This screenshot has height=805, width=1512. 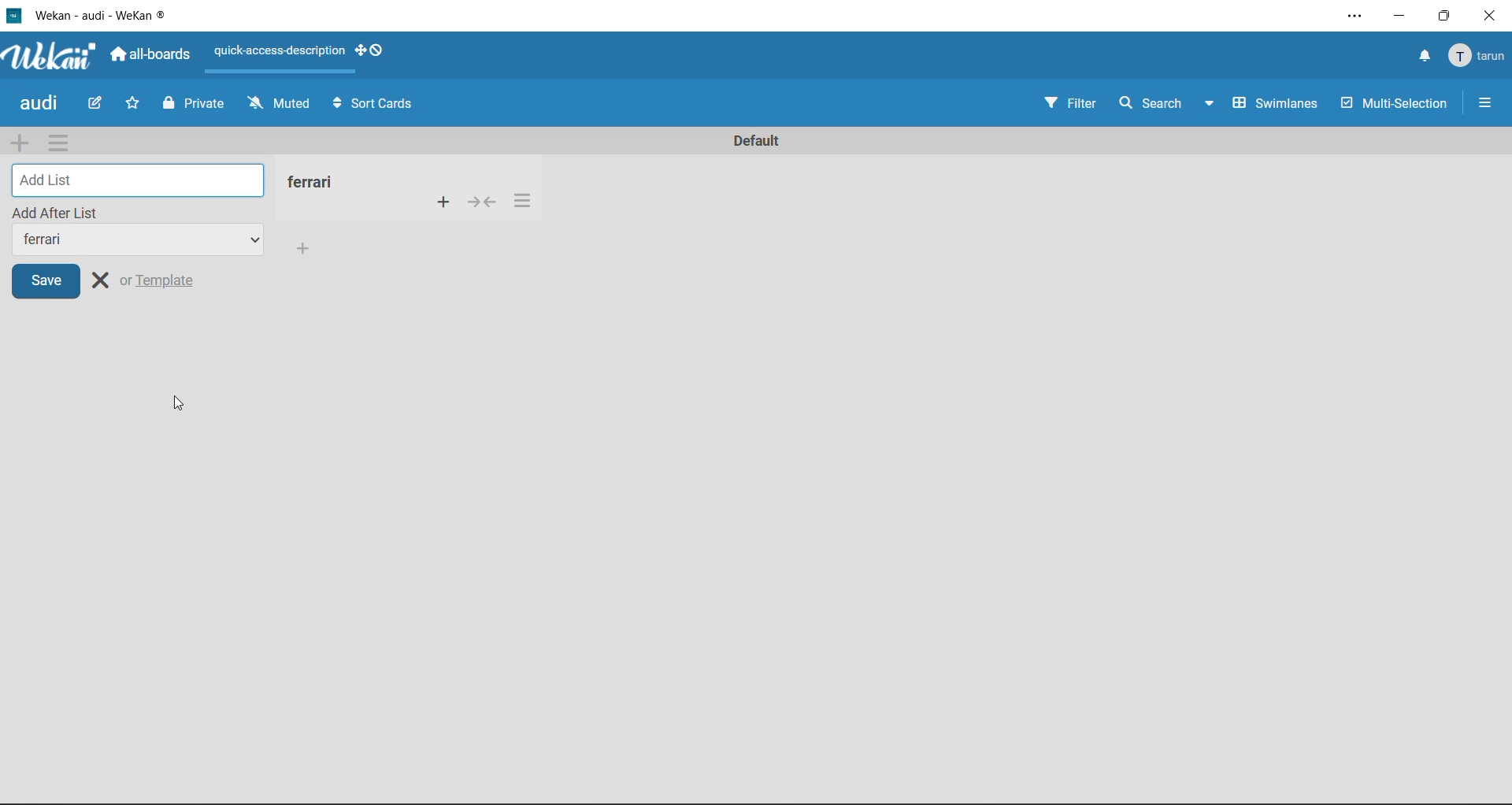 What do you see at coordinates (47, 57) in the screenshot?
I see `app logo Wekan` at bounding box center [47, 57].